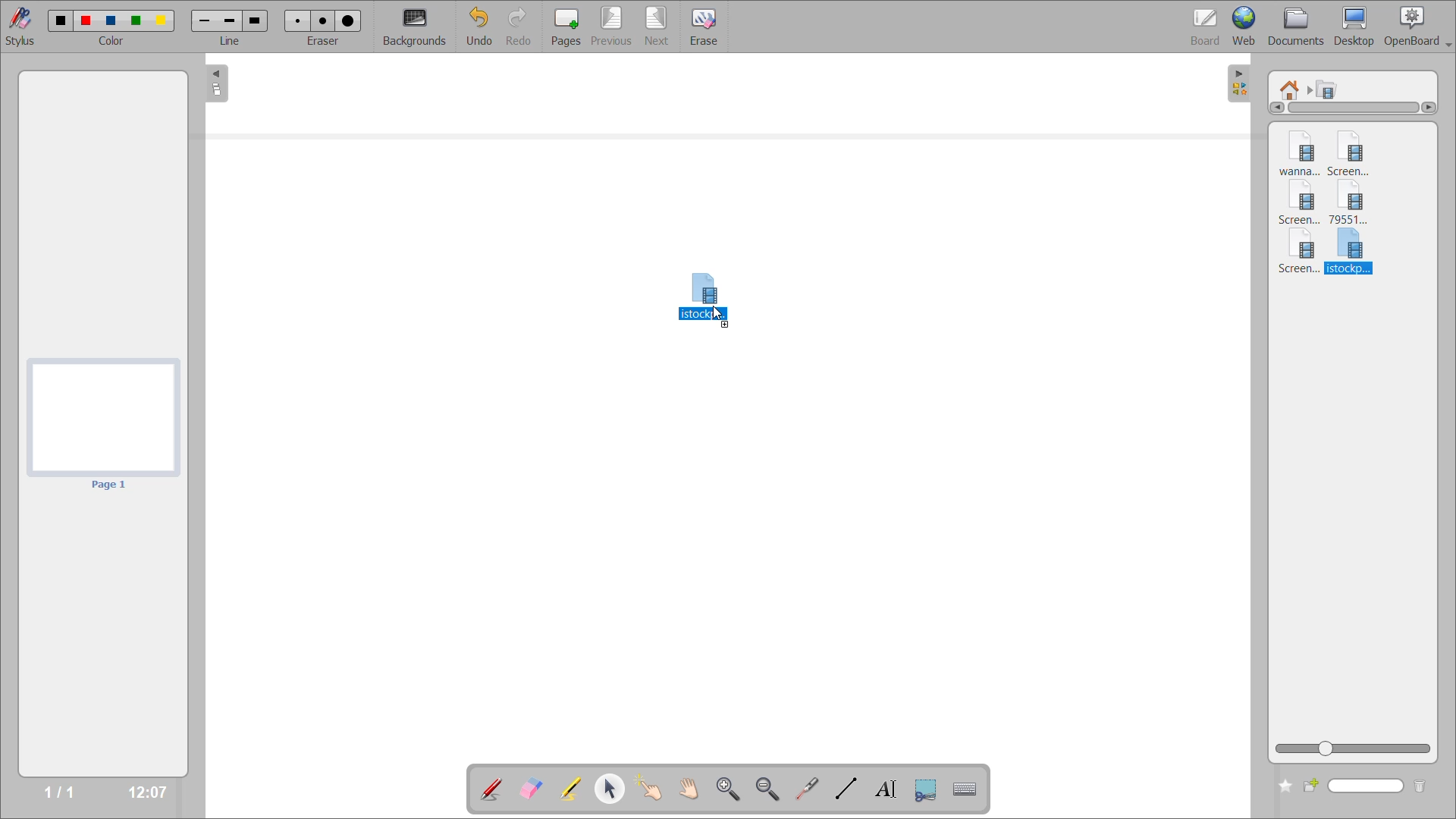  Describe the element at coordinates (883, 790) in the screenshot. I see `write text` at that location.